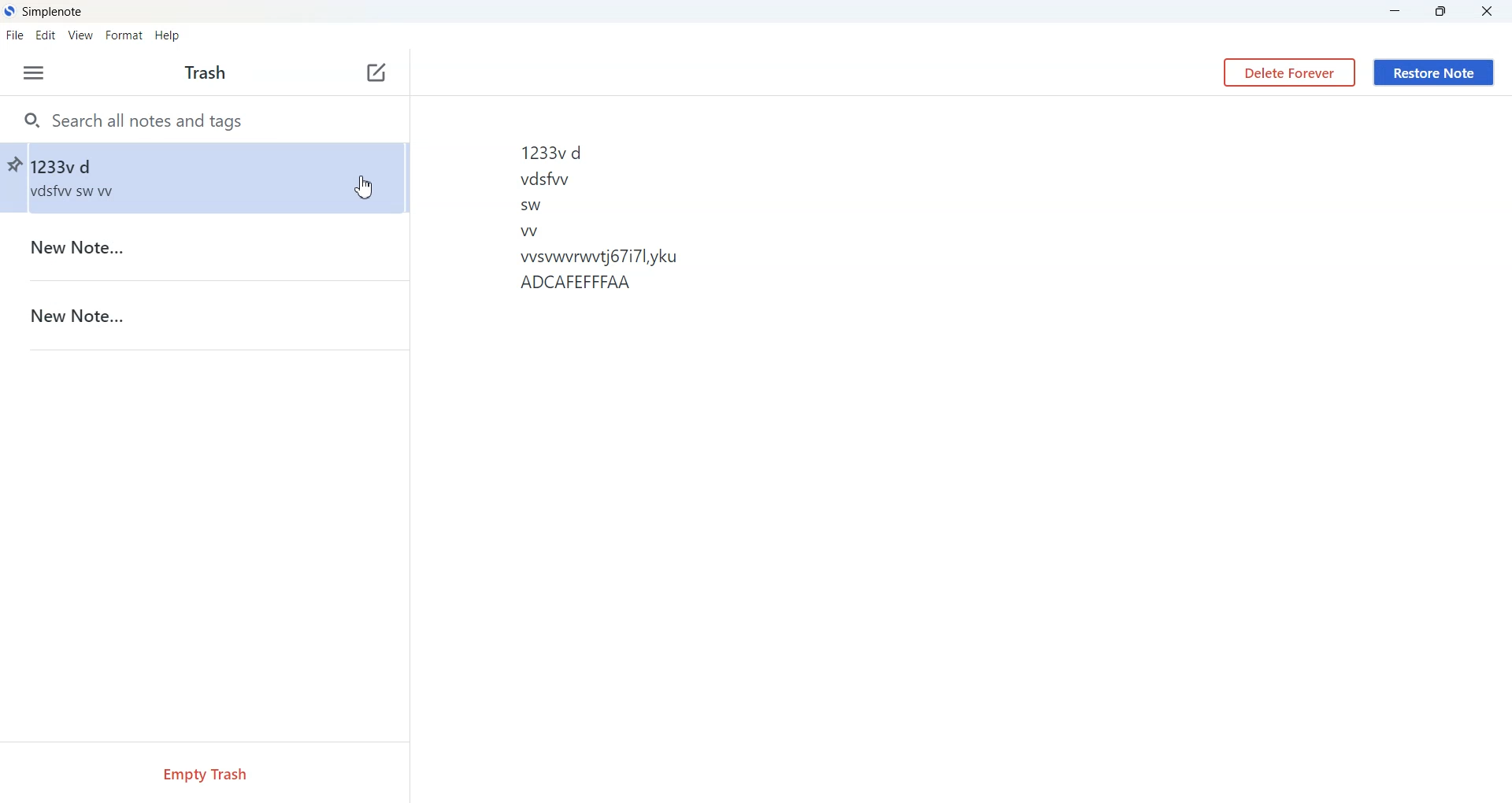 The width and height of the screenshot is (1512, 803). I want to click on Options, so click(33, 72).